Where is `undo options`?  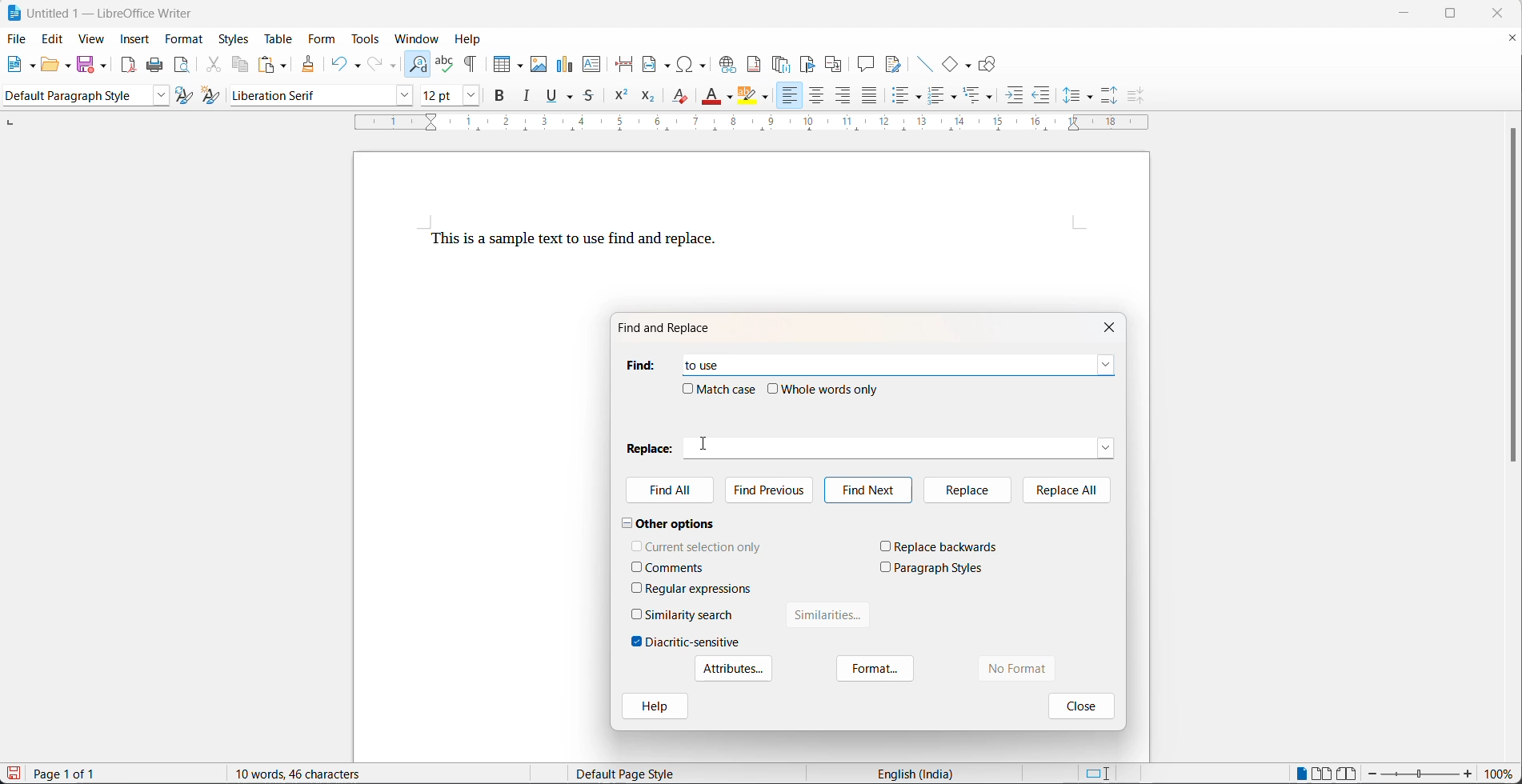
undo options is located at coordinates (356, 64).